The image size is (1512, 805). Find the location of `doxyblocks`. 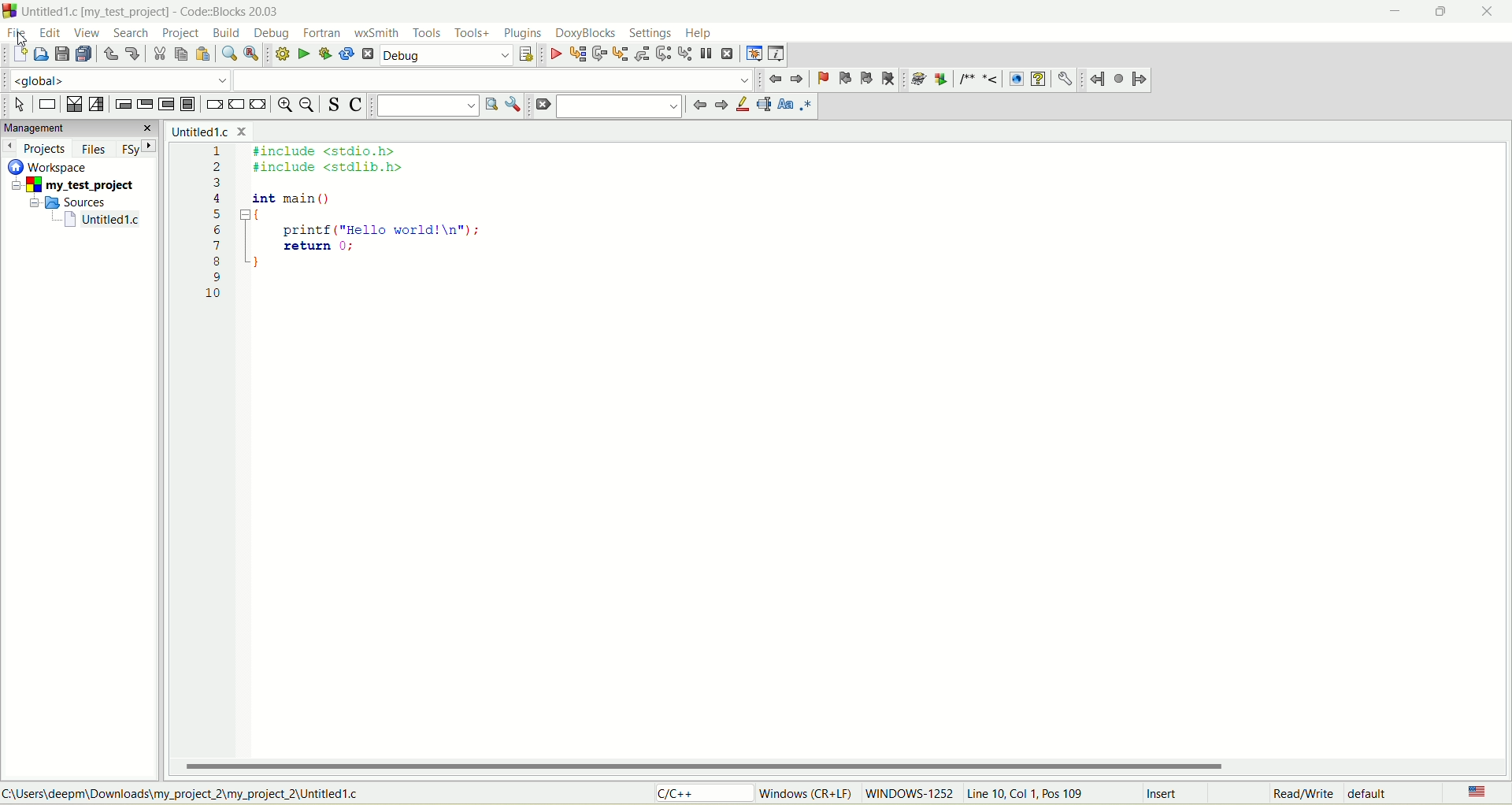

doxyblocks is located at coordinates (586, 34).